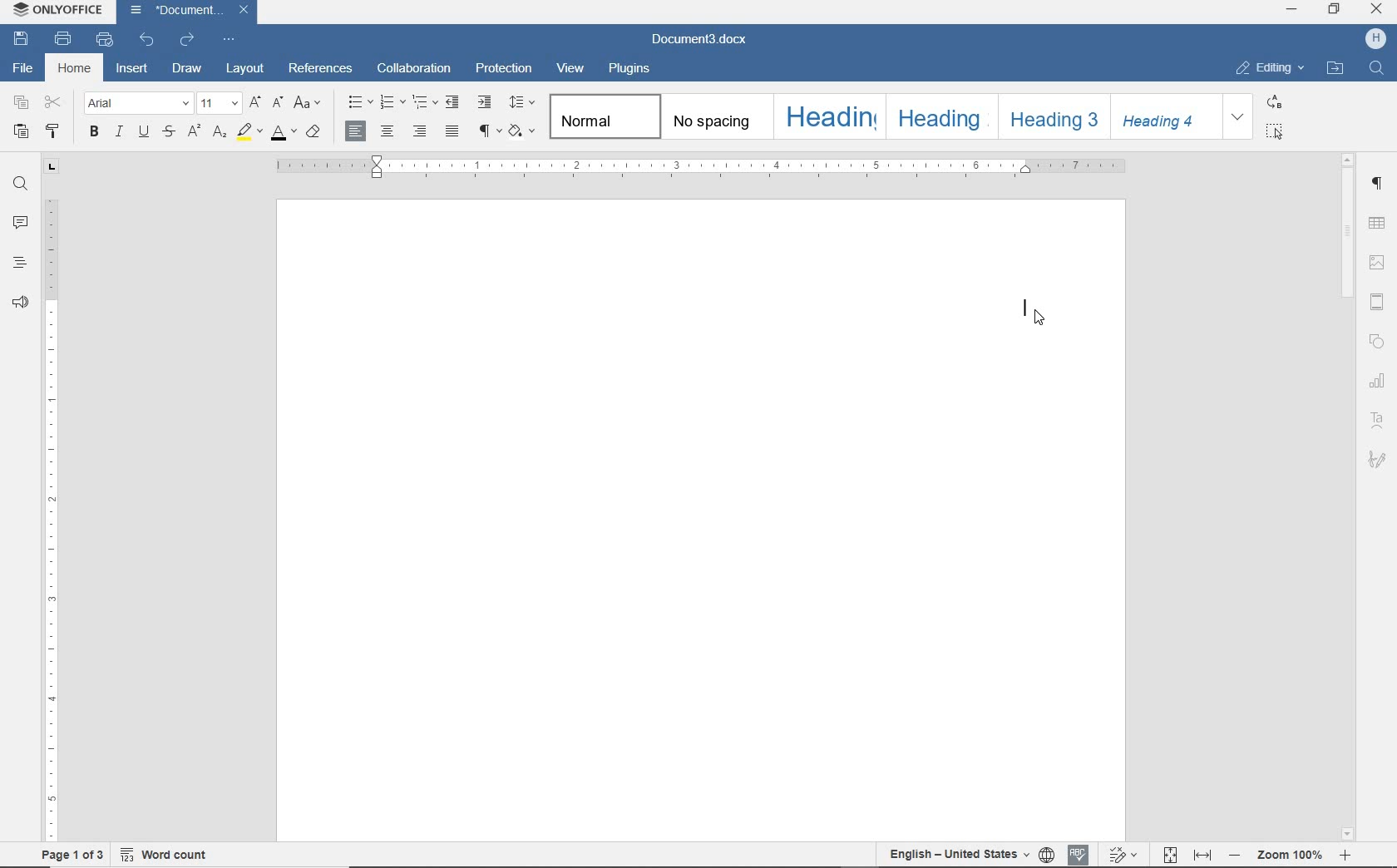 This screenshot has width=1397, height=868. Describe the element at coordinates (1346, 496) in the screenshot. I see `SCROLLBAR` at that location.